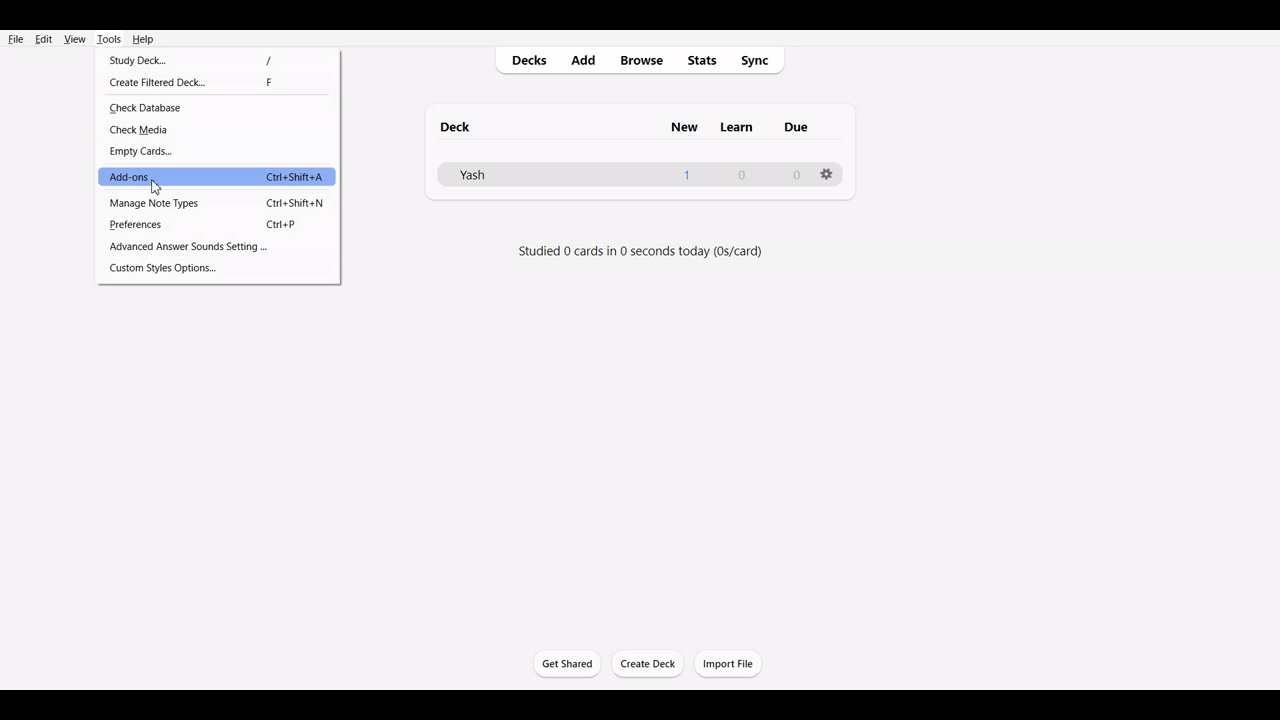 The image size is (1280, 720). I want to click on Browse, so click(641, 61).